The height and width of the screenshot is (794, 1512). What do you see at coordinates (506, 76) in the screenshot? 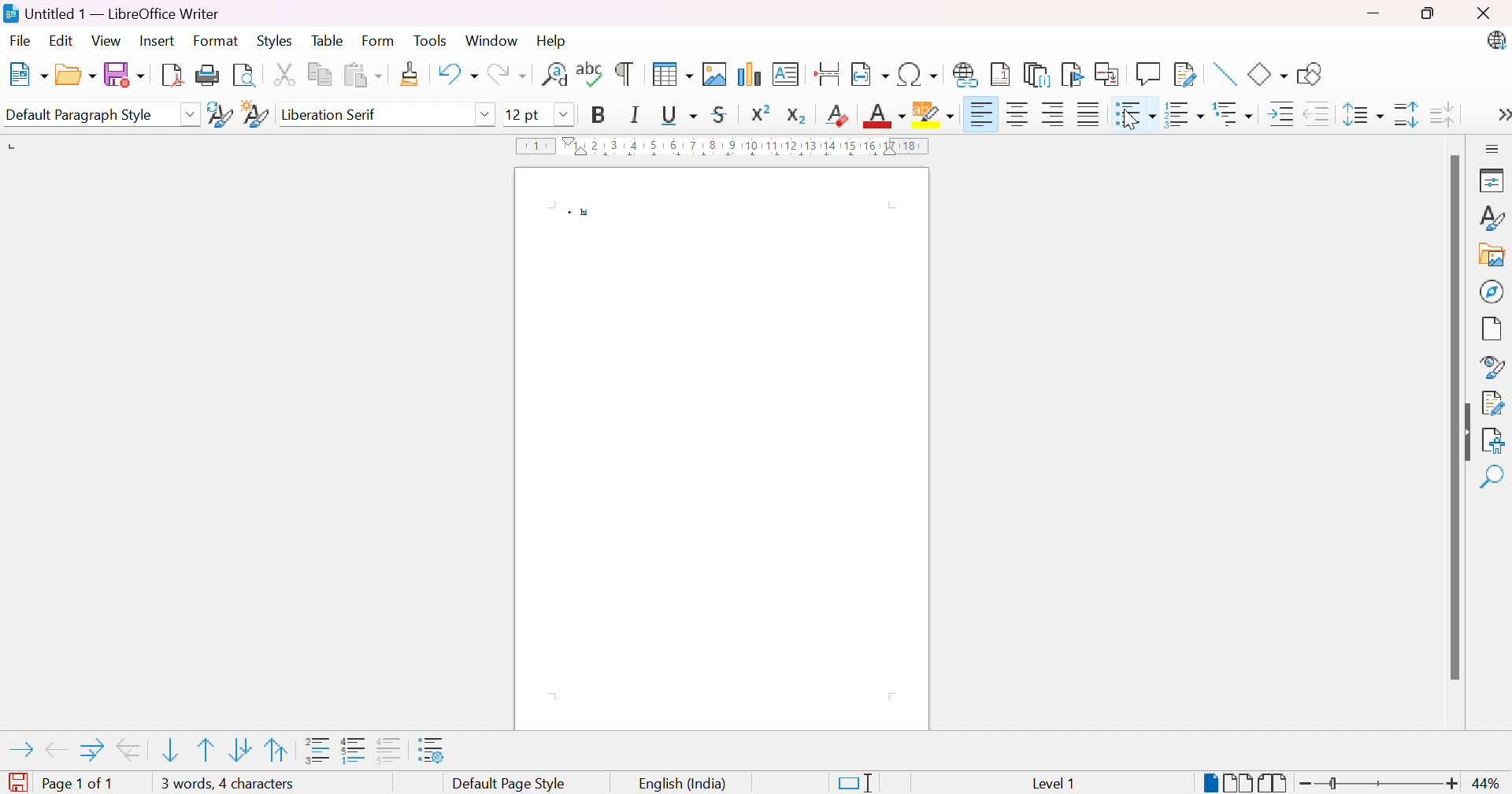
I see `Redo` at bounding box center [506, 76].